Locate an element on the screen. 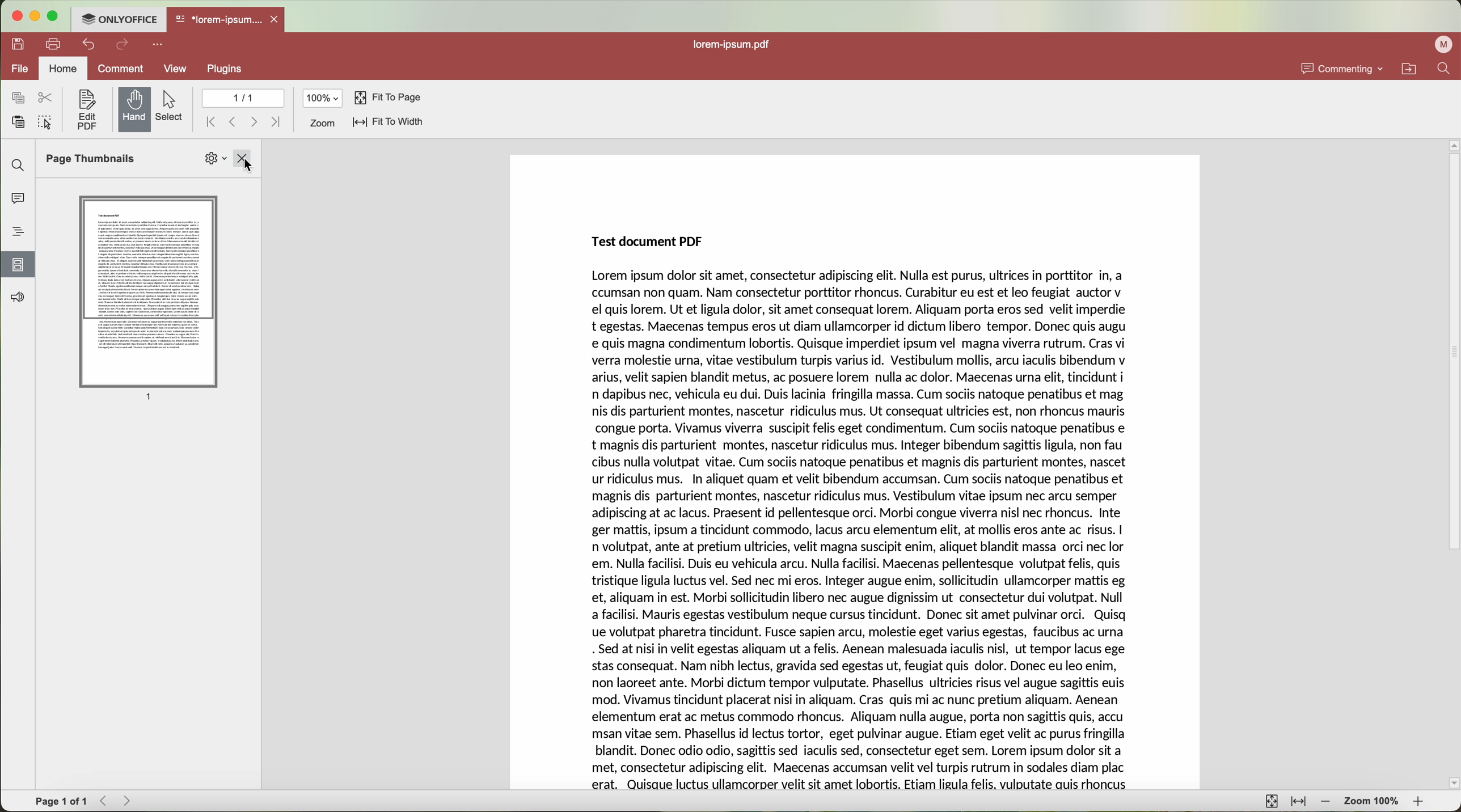  fit to width is located at coordinates (1300, 802).